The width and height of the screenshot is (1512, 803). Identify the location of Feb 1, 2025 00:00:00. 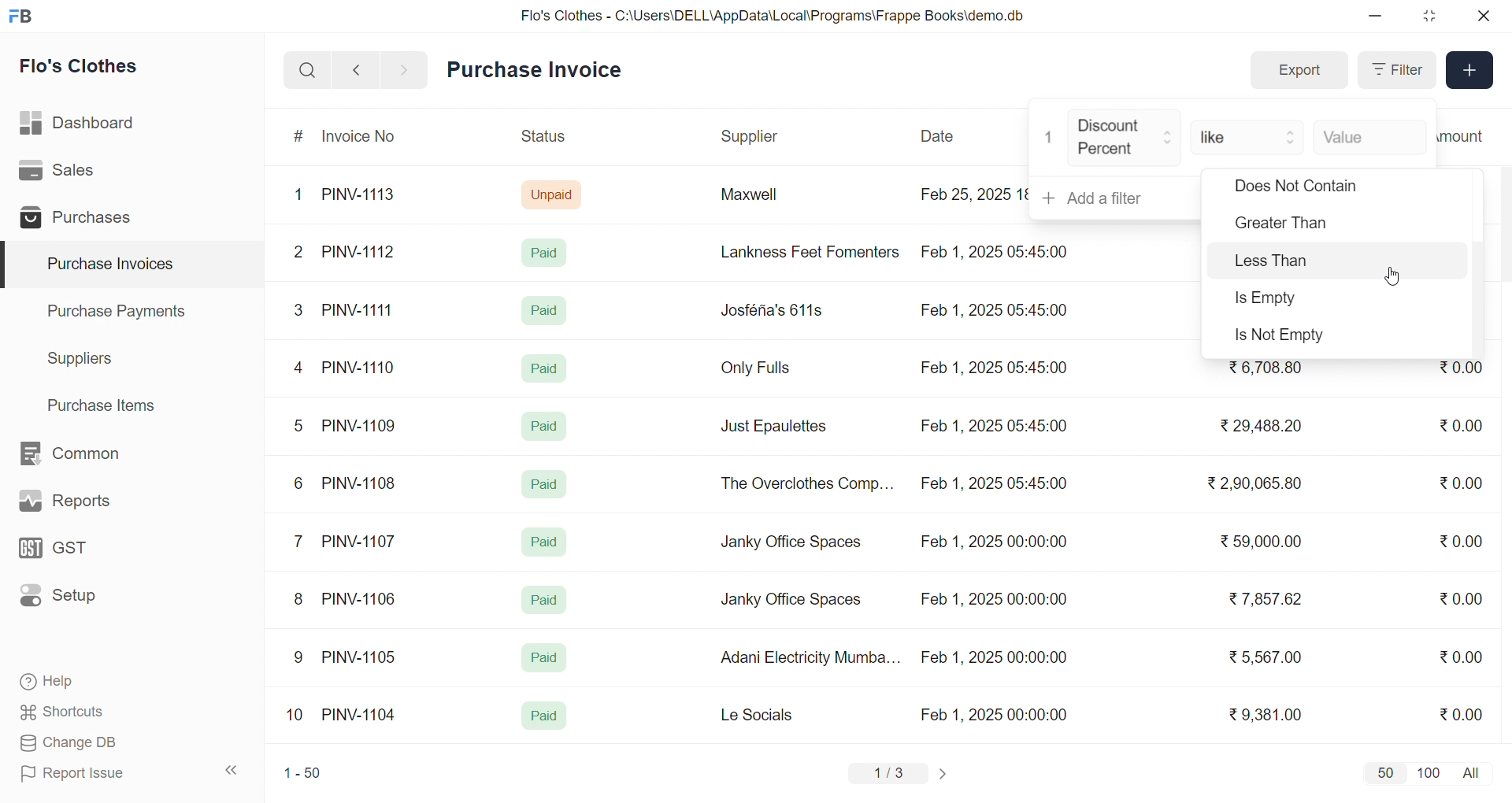
(994, 657).